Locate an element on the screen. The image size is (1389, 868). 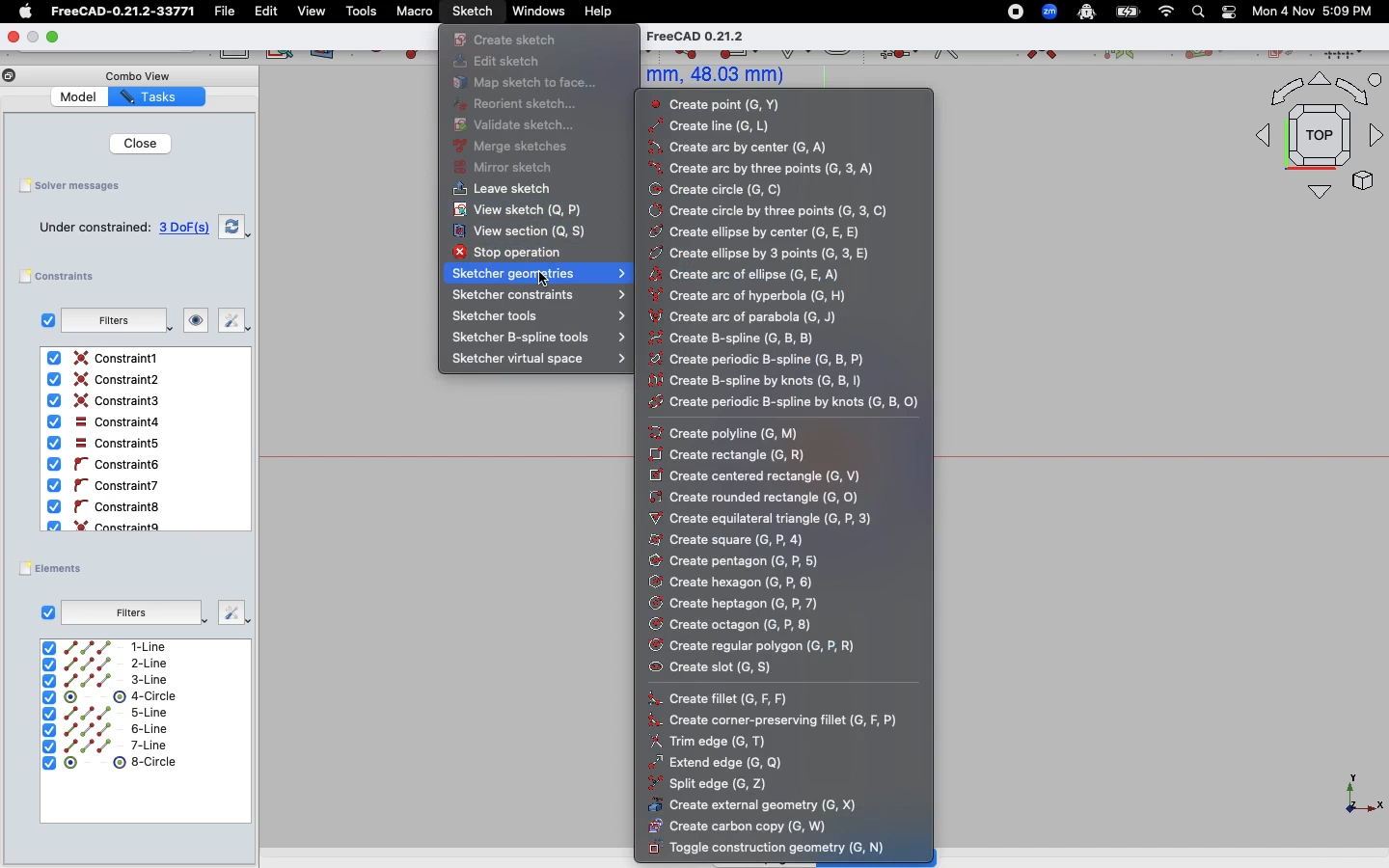
Constraint1 is located at coordinates (106, 359).